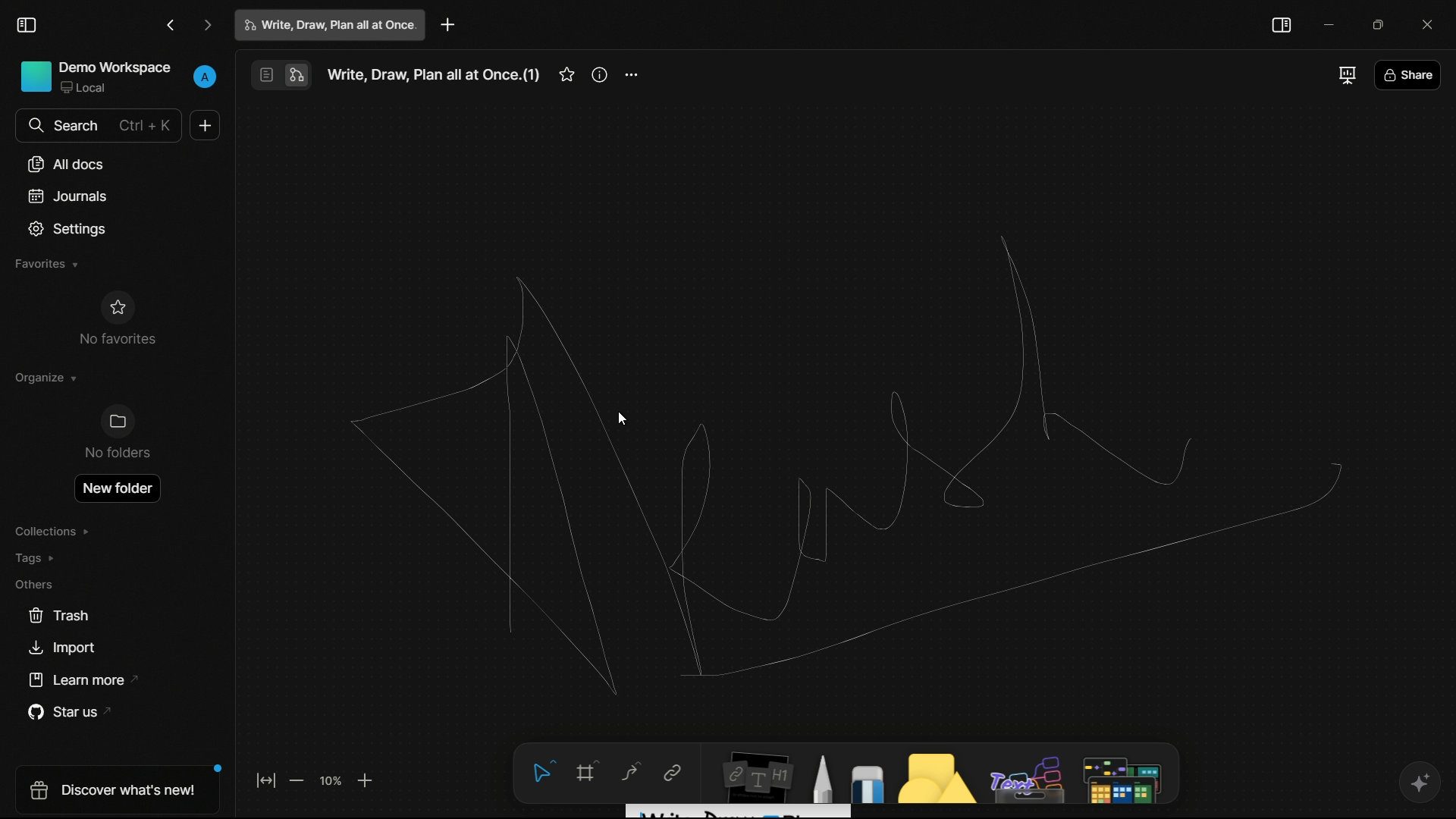 This screenshot has height=819, width=1456. Describe the element at coordinates (58, 616) in the screenshot. I see `trash` at that location.